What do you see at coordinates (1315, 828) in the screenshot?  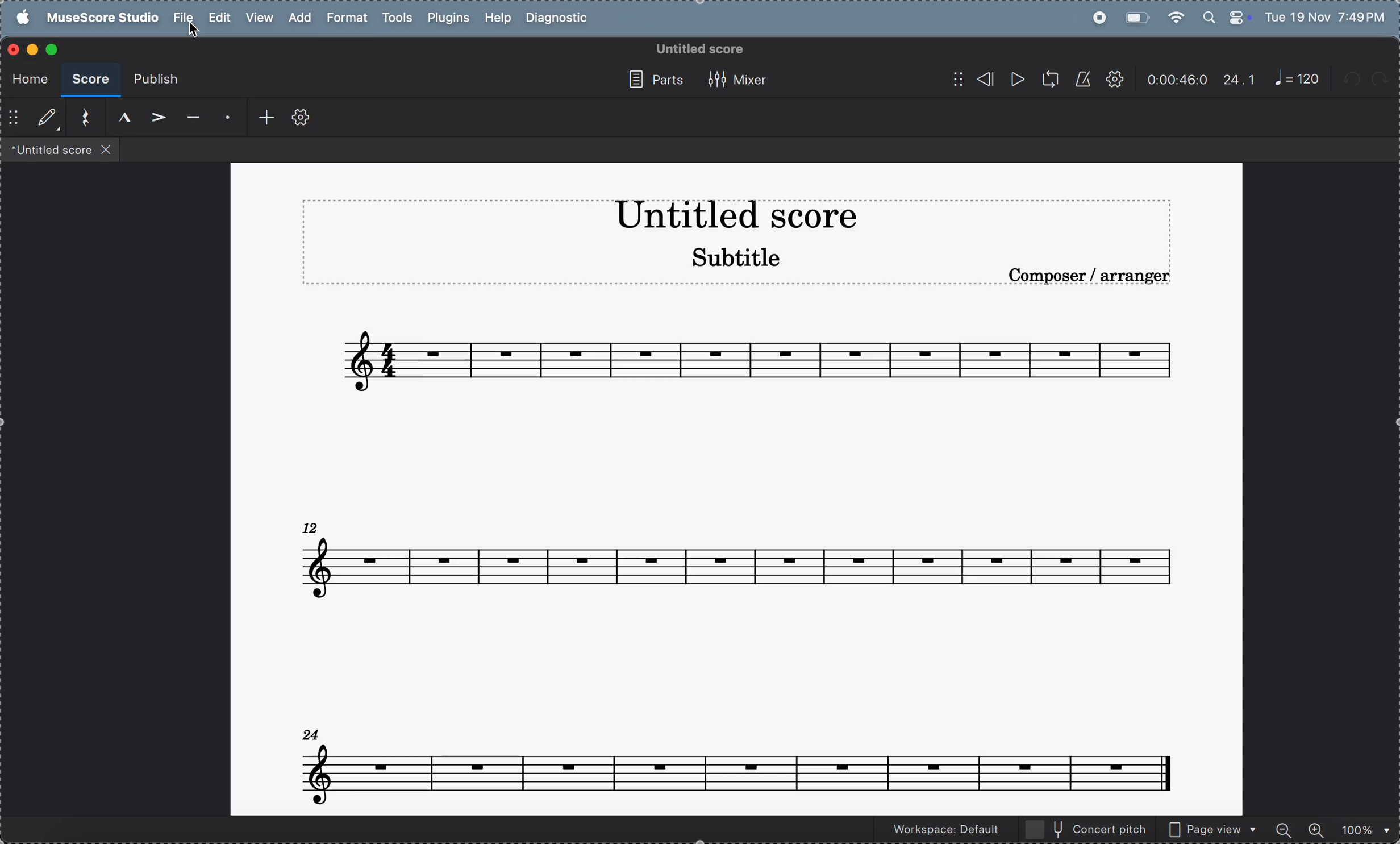 I see `zoom in` at bounding box center [1315, 828].